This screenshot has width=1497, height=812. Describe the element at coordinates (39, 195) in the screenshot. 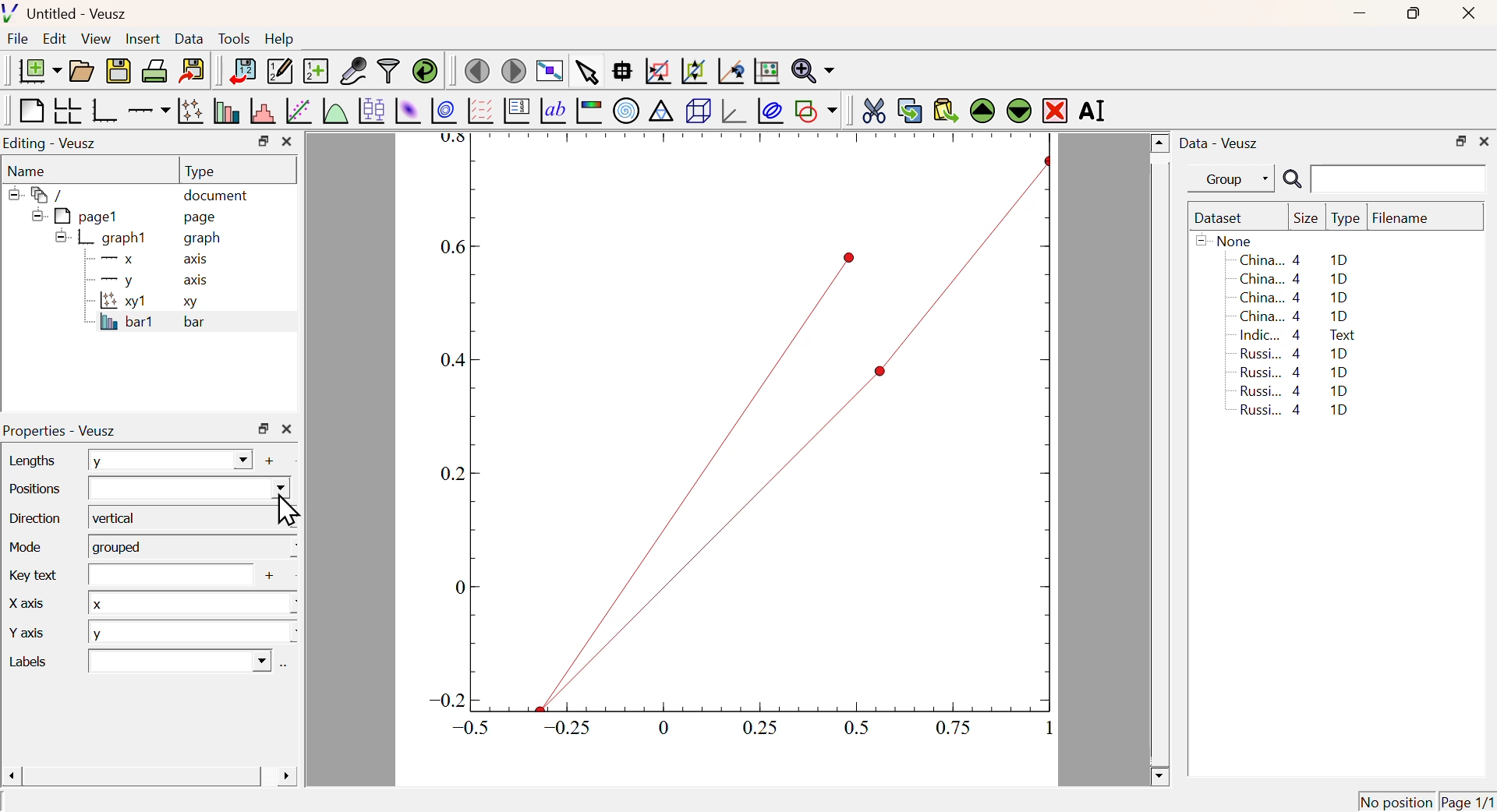

I see `/` at that location.